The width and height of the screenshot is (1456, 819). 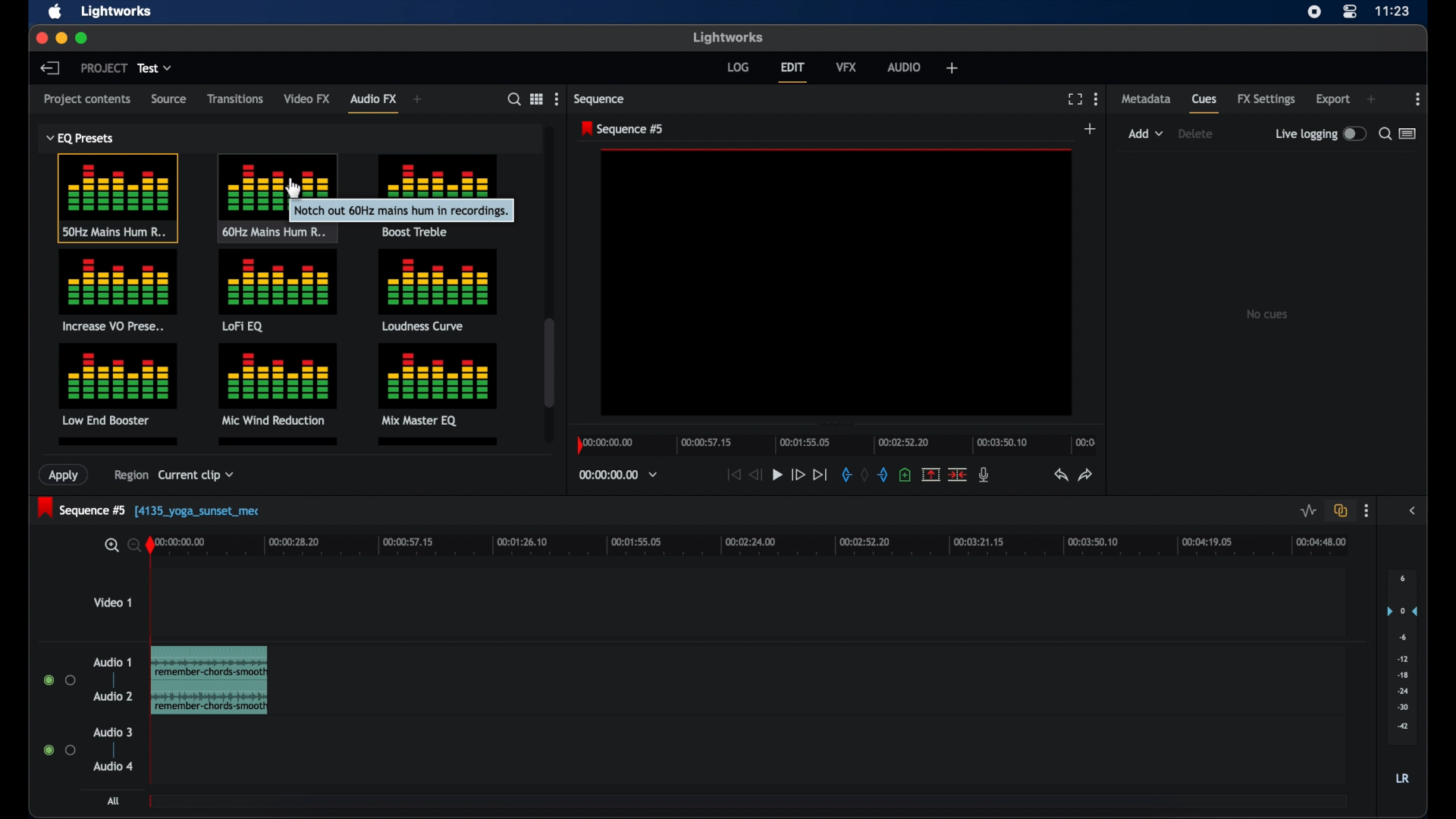 What do you see at coordinates (845, 474) in the screenshot?
I see `in mark` at bounding box center [845, 474].